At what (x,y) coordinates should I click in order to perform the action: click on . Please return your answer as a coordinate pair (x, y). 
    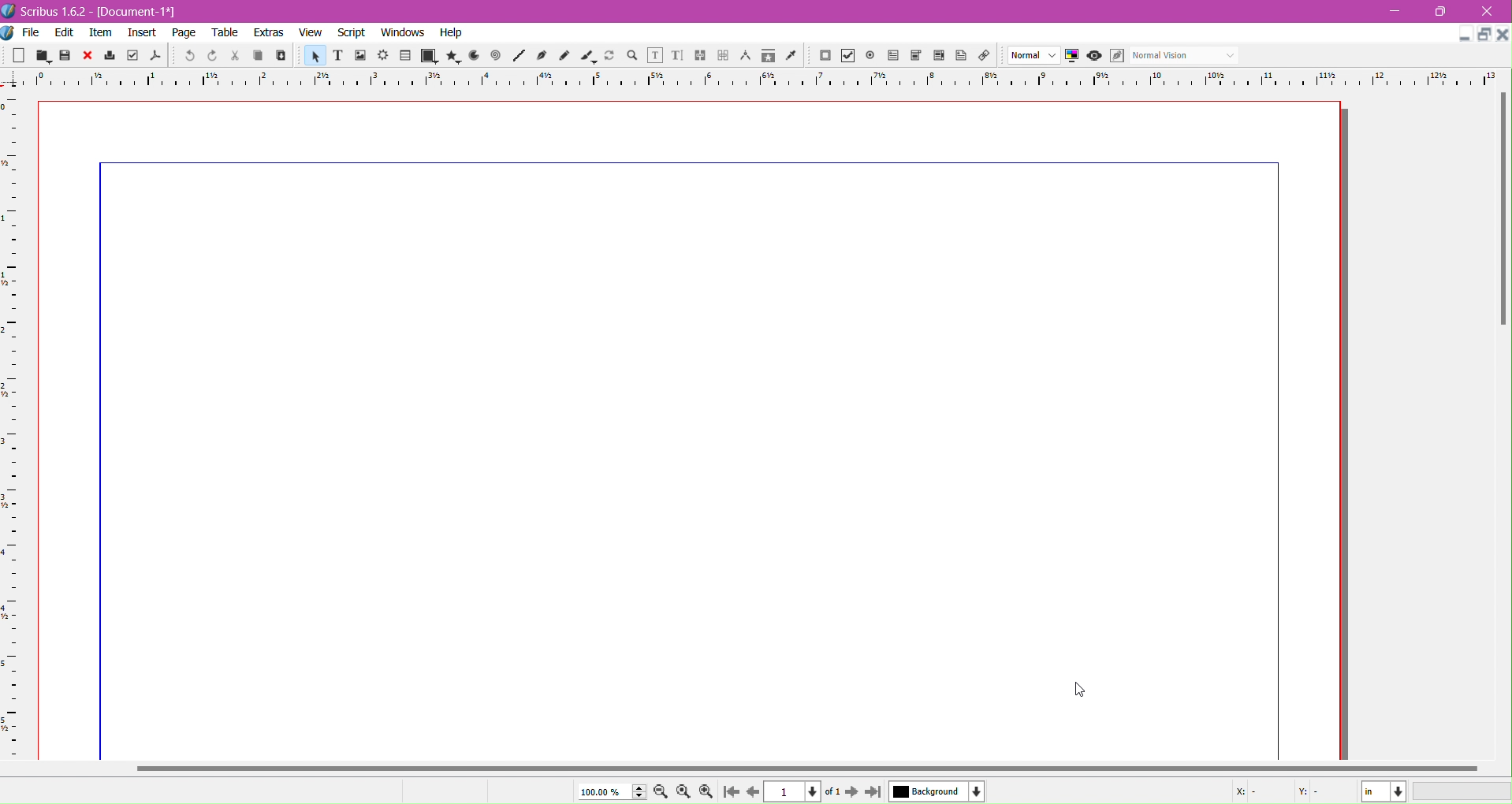
    Looking at the image, I should click on (156, 56).